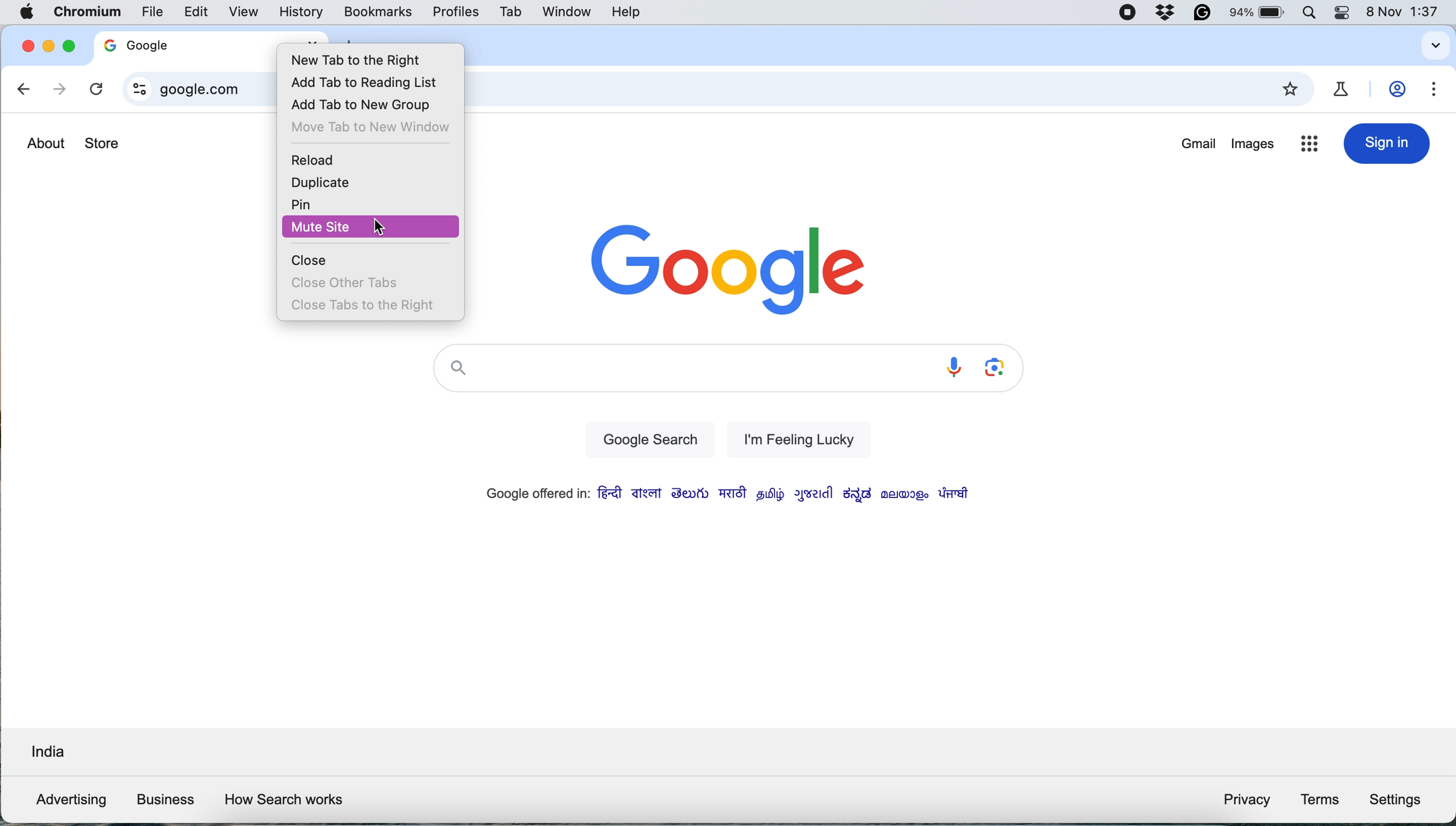 The height and width of the screenshot is (826, 1456). What do you see at coordinates (369, 104) in the screenshot?
I see `add tab to new group` at bounding box center [369, 104].